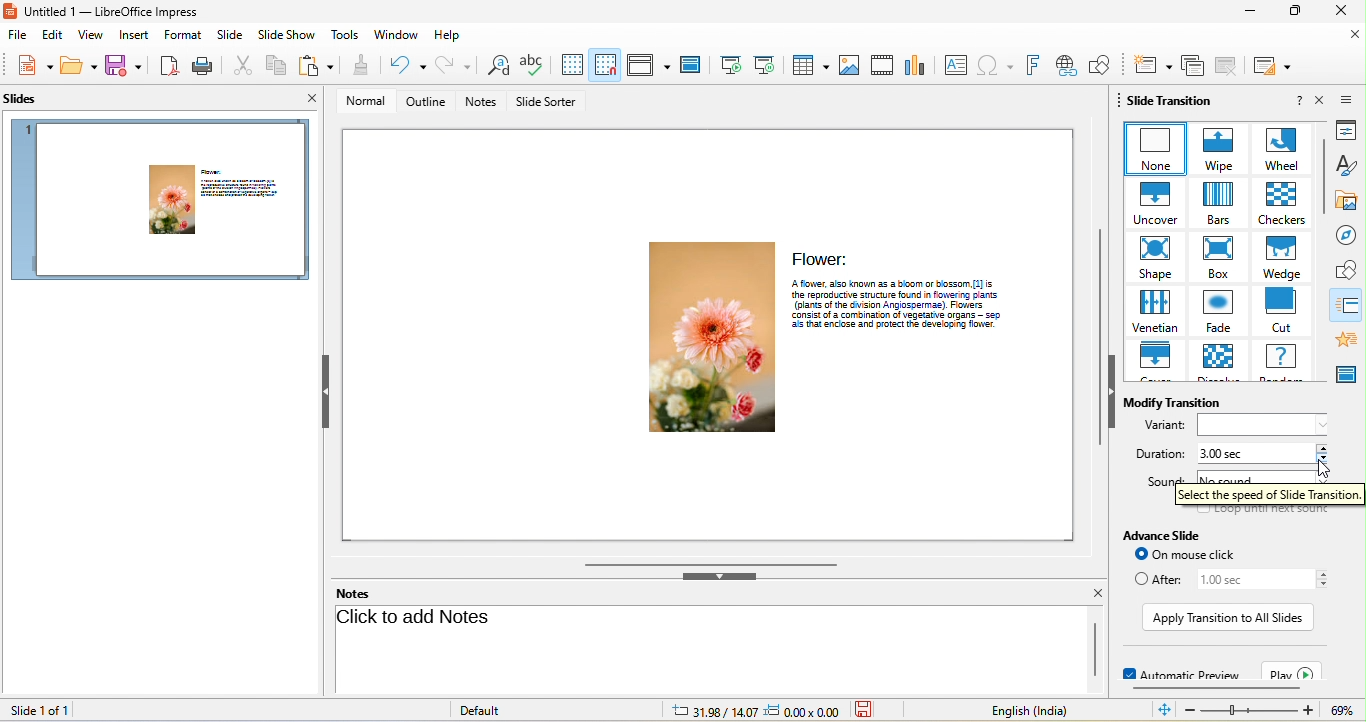  Describe the element at coordinates (1270, 496) in the screenshot. I see `select the speed of the transition` at that location.